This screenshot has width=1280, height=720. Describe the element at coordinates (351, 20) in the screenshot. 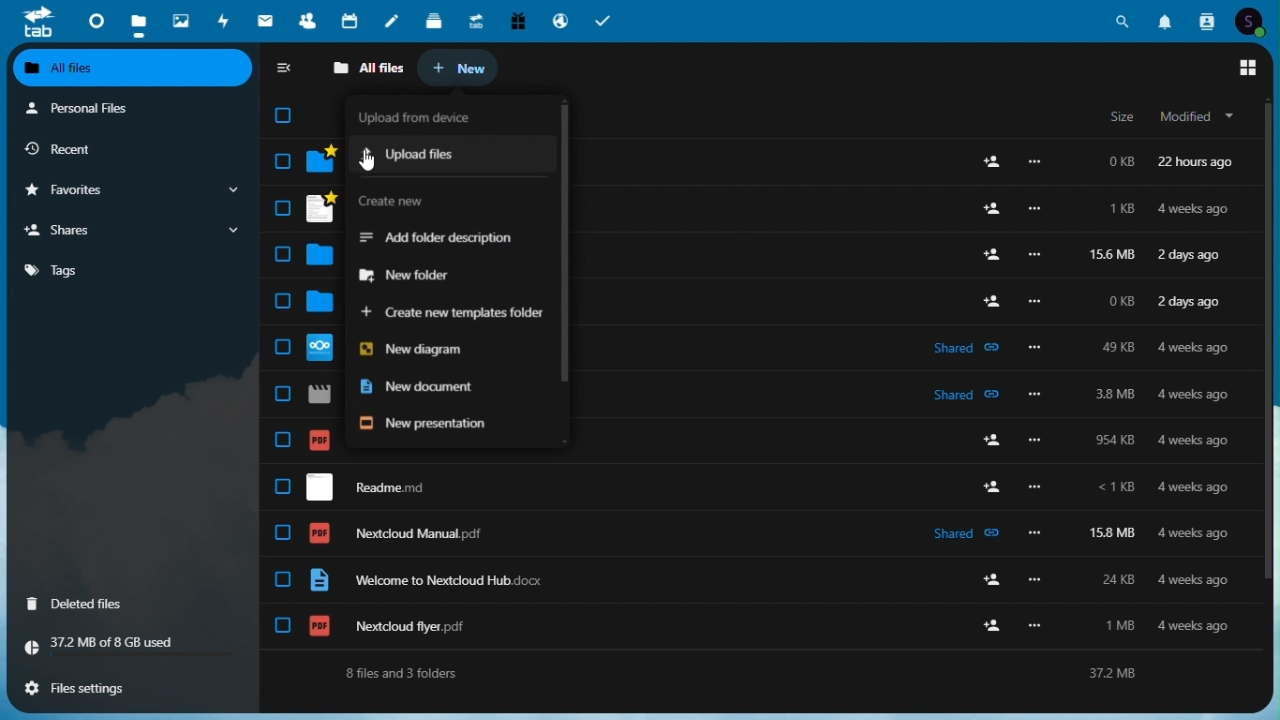

I see `Calendar` at that location.